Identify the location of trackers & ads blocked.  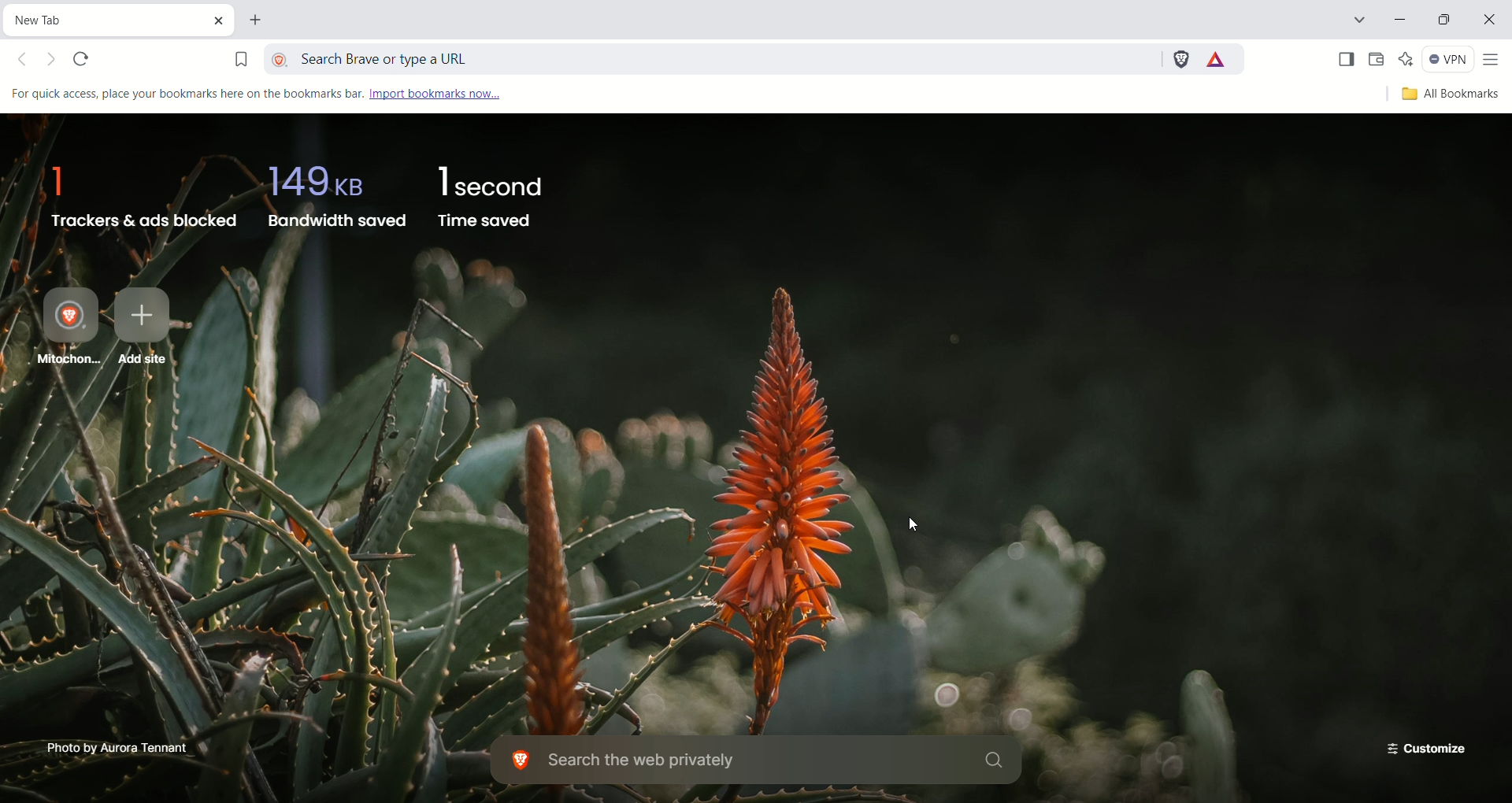
(138, 191).